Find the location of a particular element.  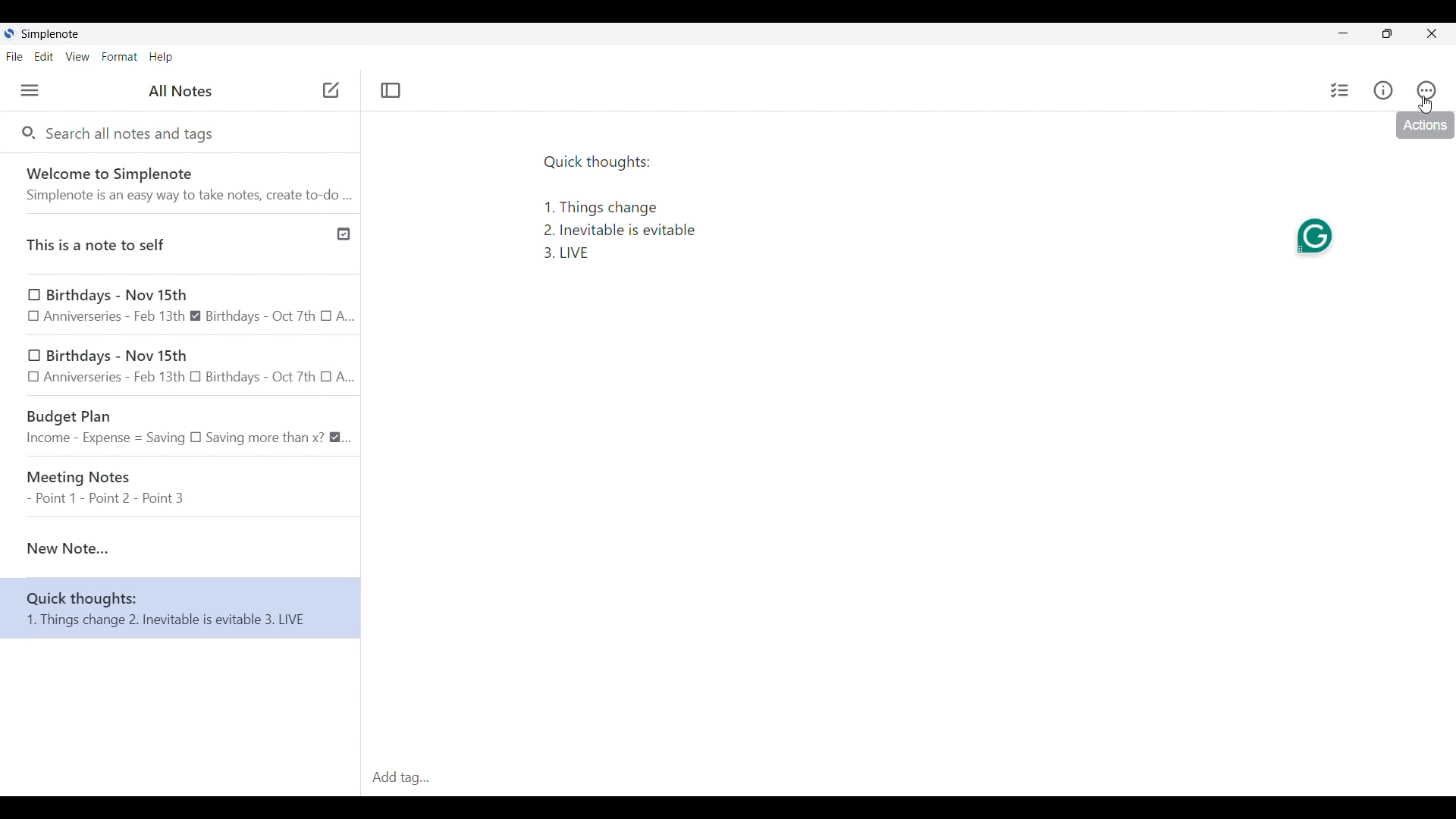

icon is located at coordinates (1311, 237).